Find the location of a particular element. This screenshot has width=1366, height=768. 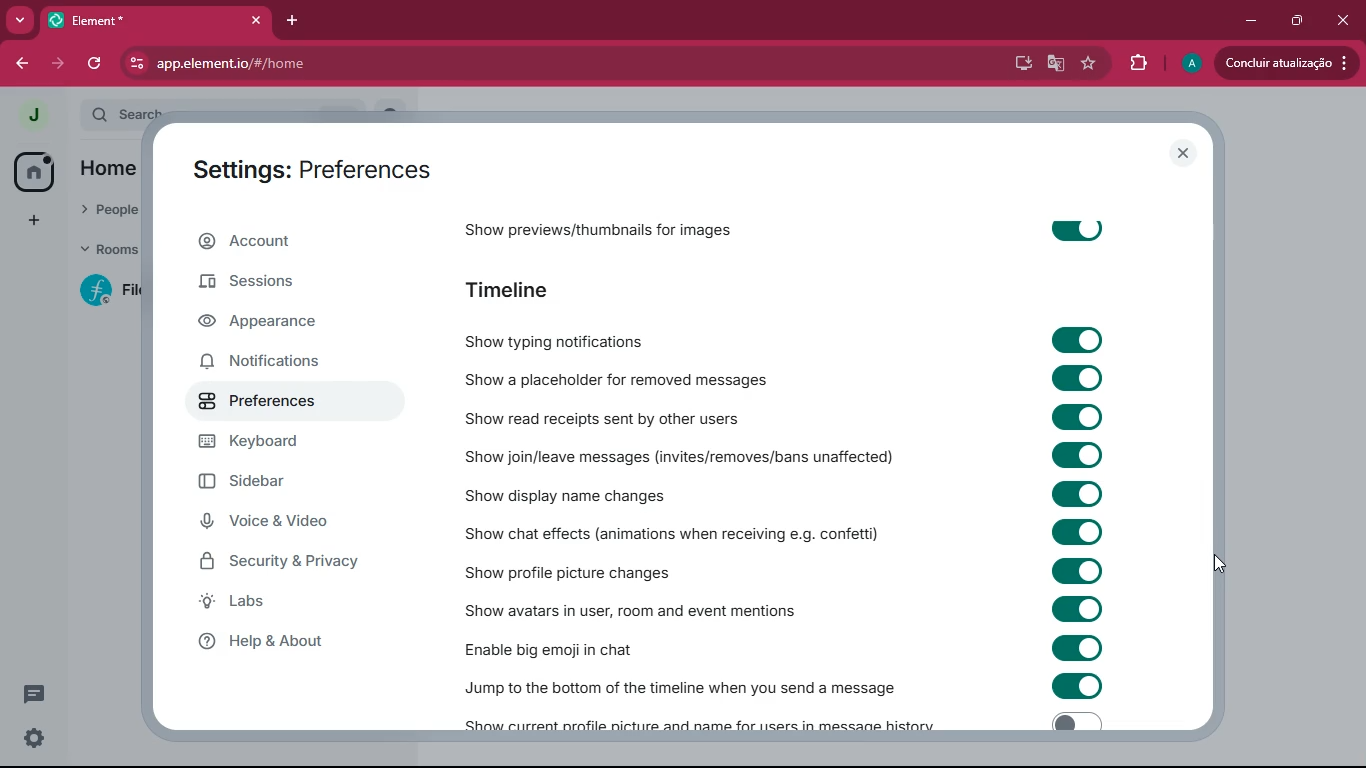

close is located at coordinates (251, 20).